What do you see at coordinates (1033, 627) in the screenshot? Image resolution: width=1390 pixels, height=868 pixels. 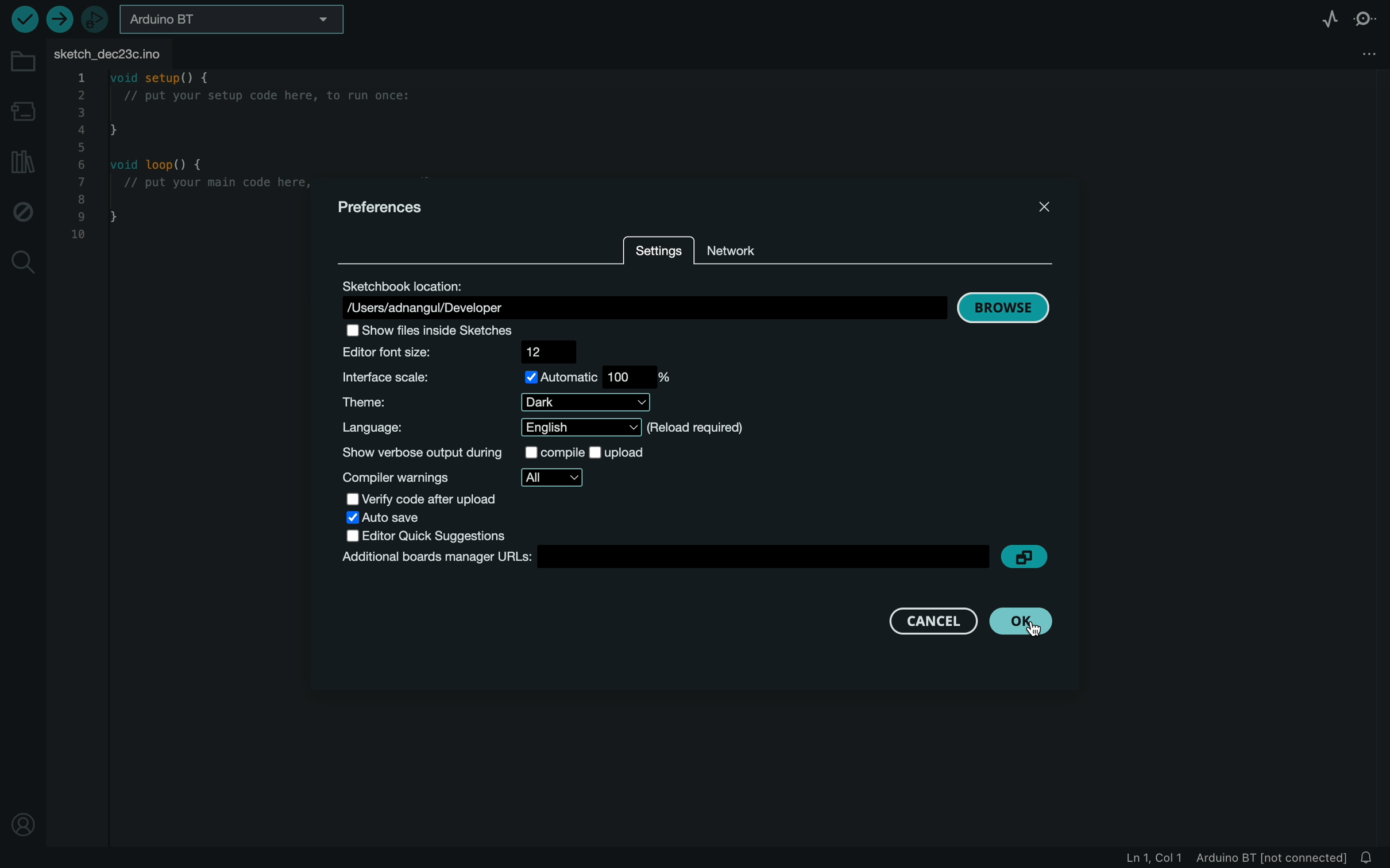 I see `cursor` at bounding box center [1033, 627].